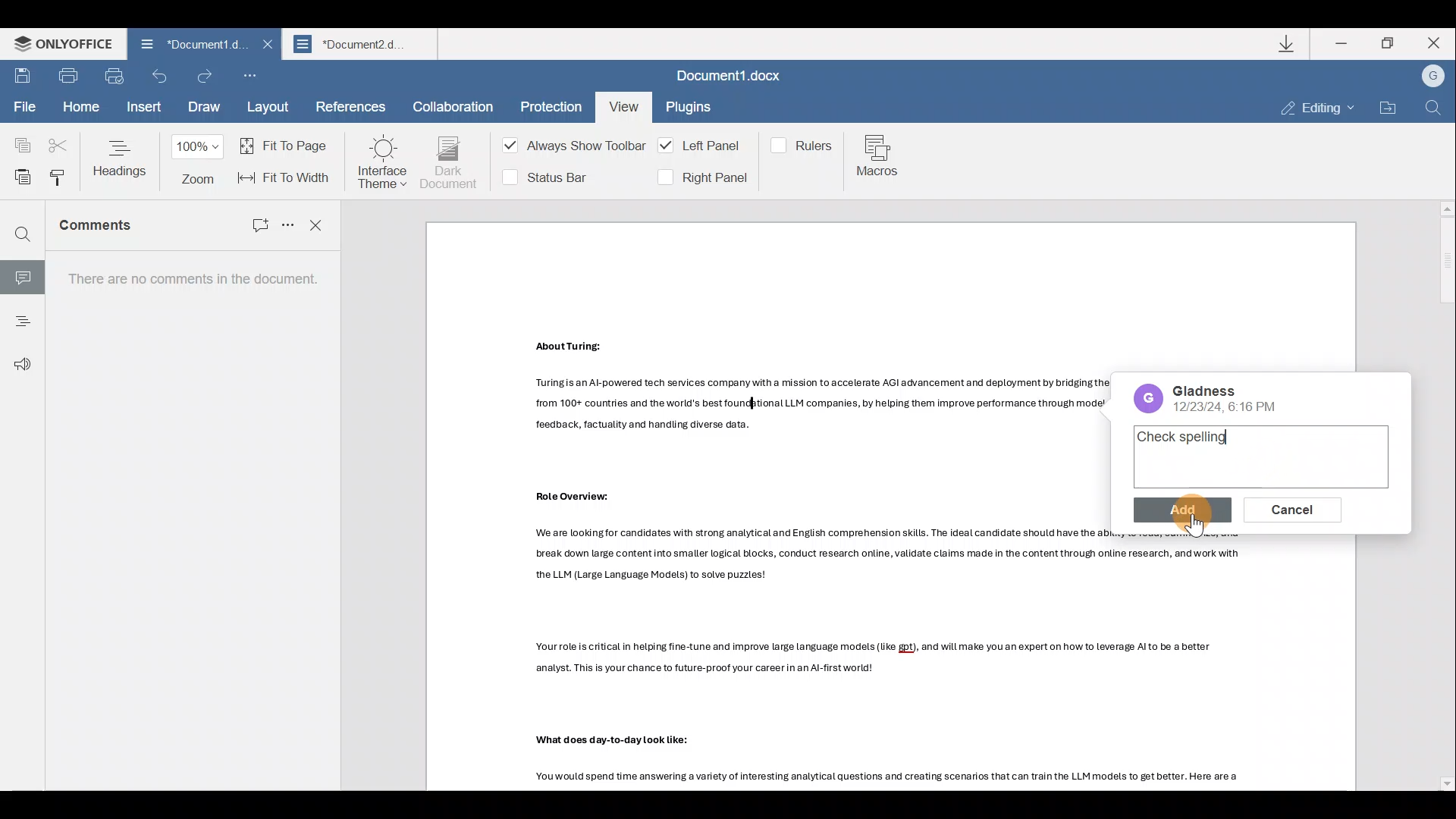 The height and width of the screenshot is (819, 1456). What do you see at coordinates (453, 105) in the screenshot?
I see `Collaboration` at bounding box center [453, 105].